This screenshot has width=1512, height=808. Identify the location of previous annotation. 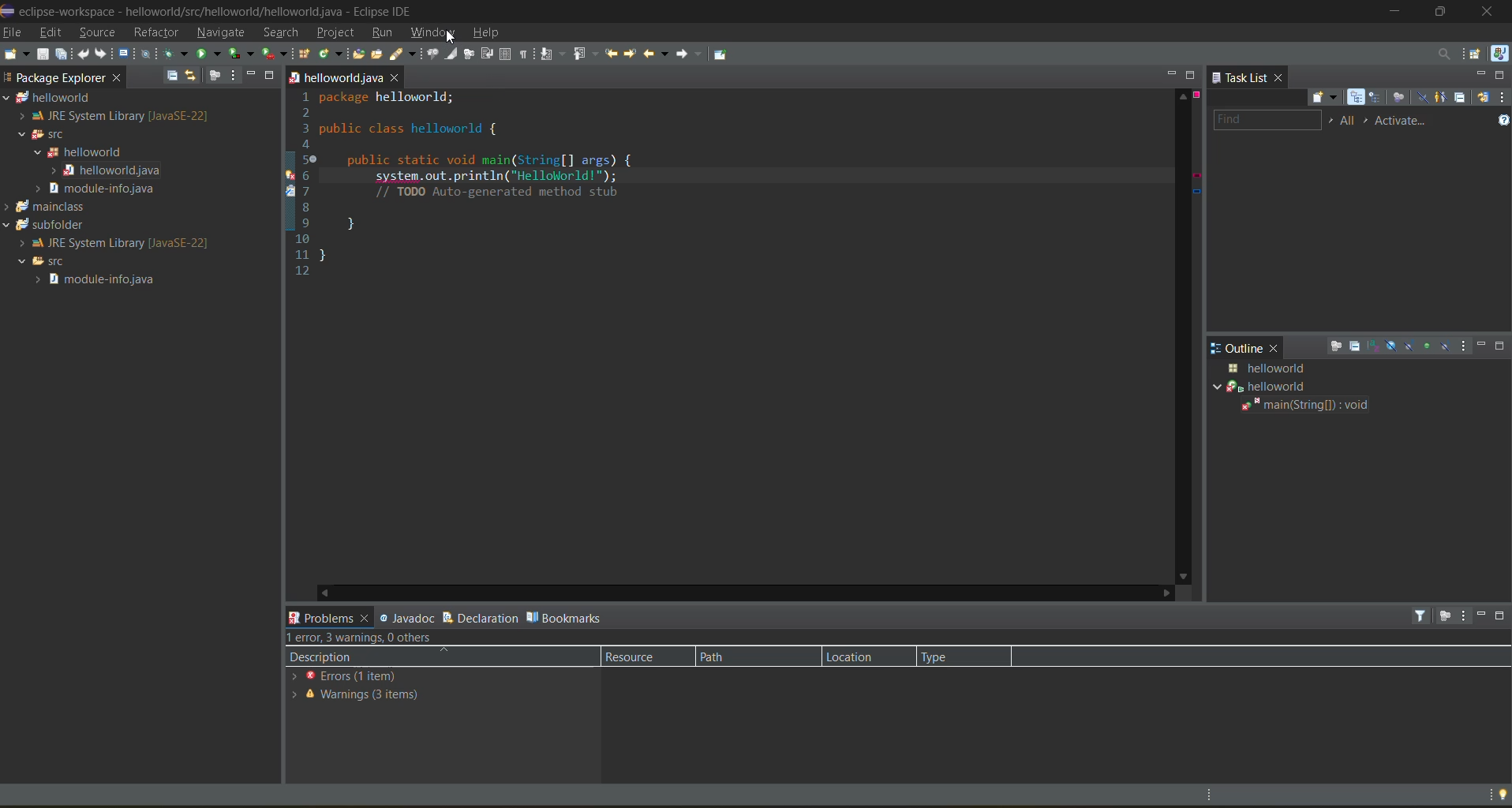
(587, 54).